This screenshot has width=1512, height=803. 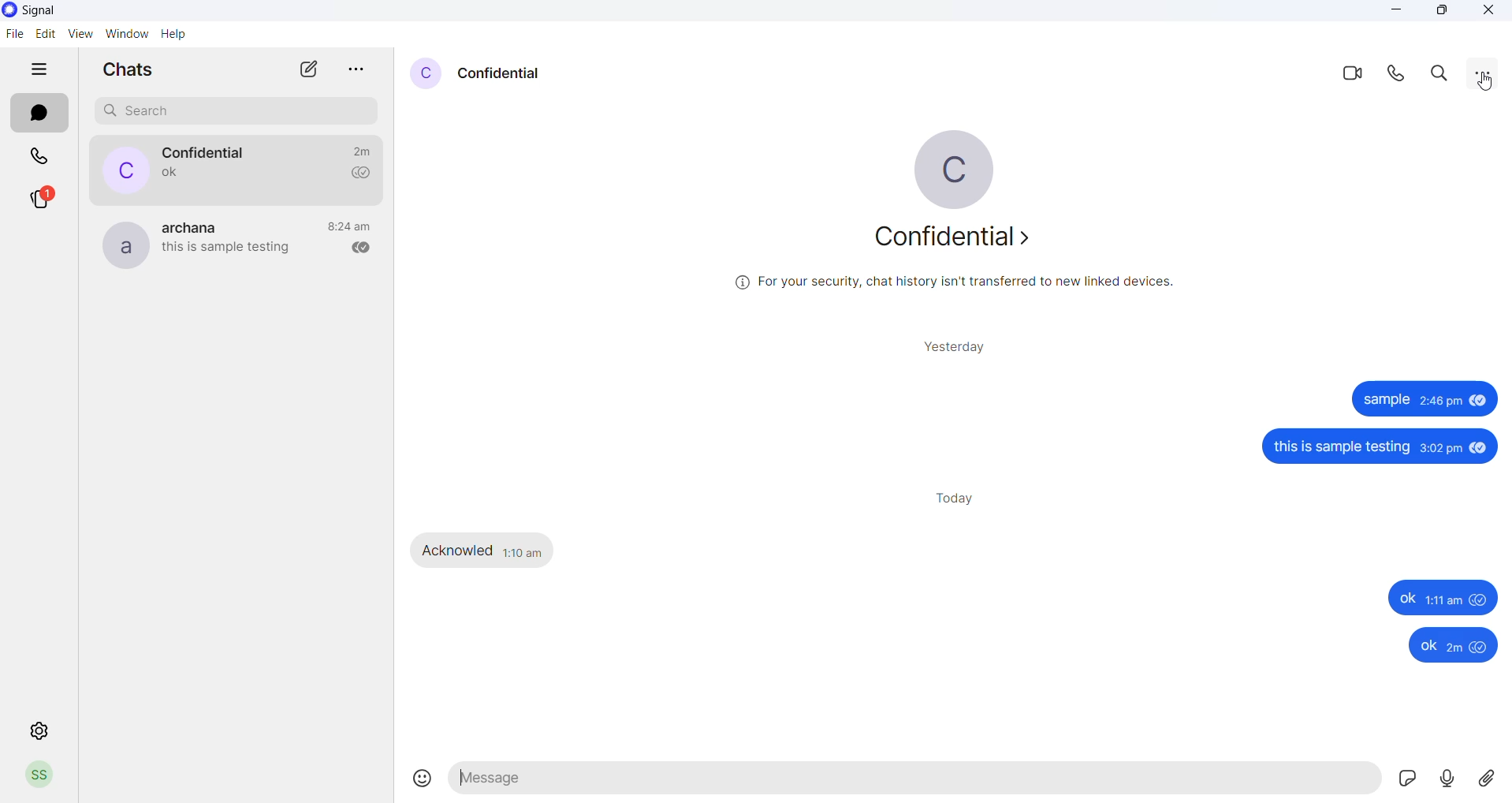 What do you see at coordinates (359, 151) in the screenshot?
I see `last message time` at bounding box center [359, 151].